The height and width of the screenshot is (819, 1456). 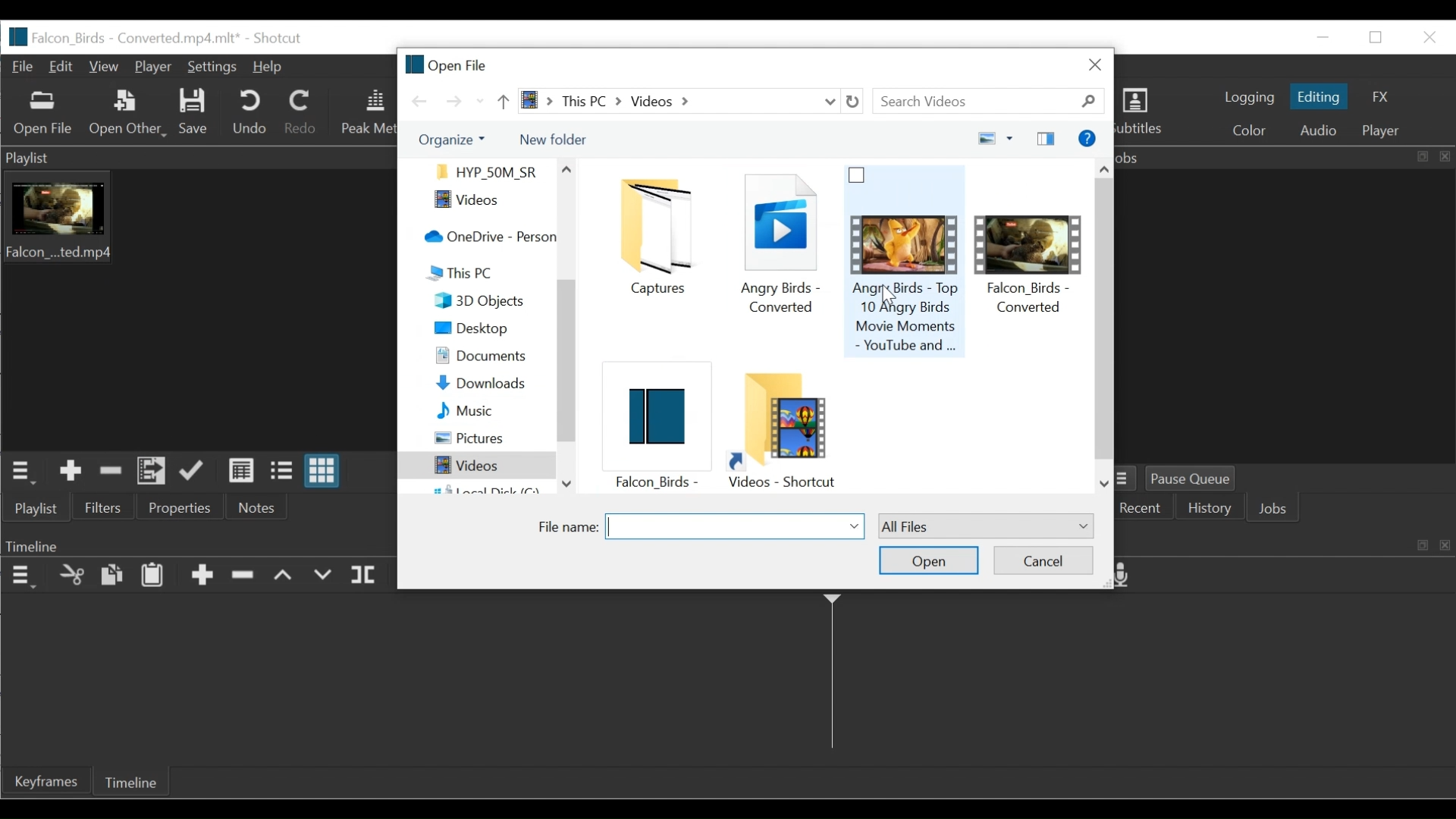 What do you see at coordinates (1385, 132) in the screenshot?
I see `player` at bounding box center [1385, 132].